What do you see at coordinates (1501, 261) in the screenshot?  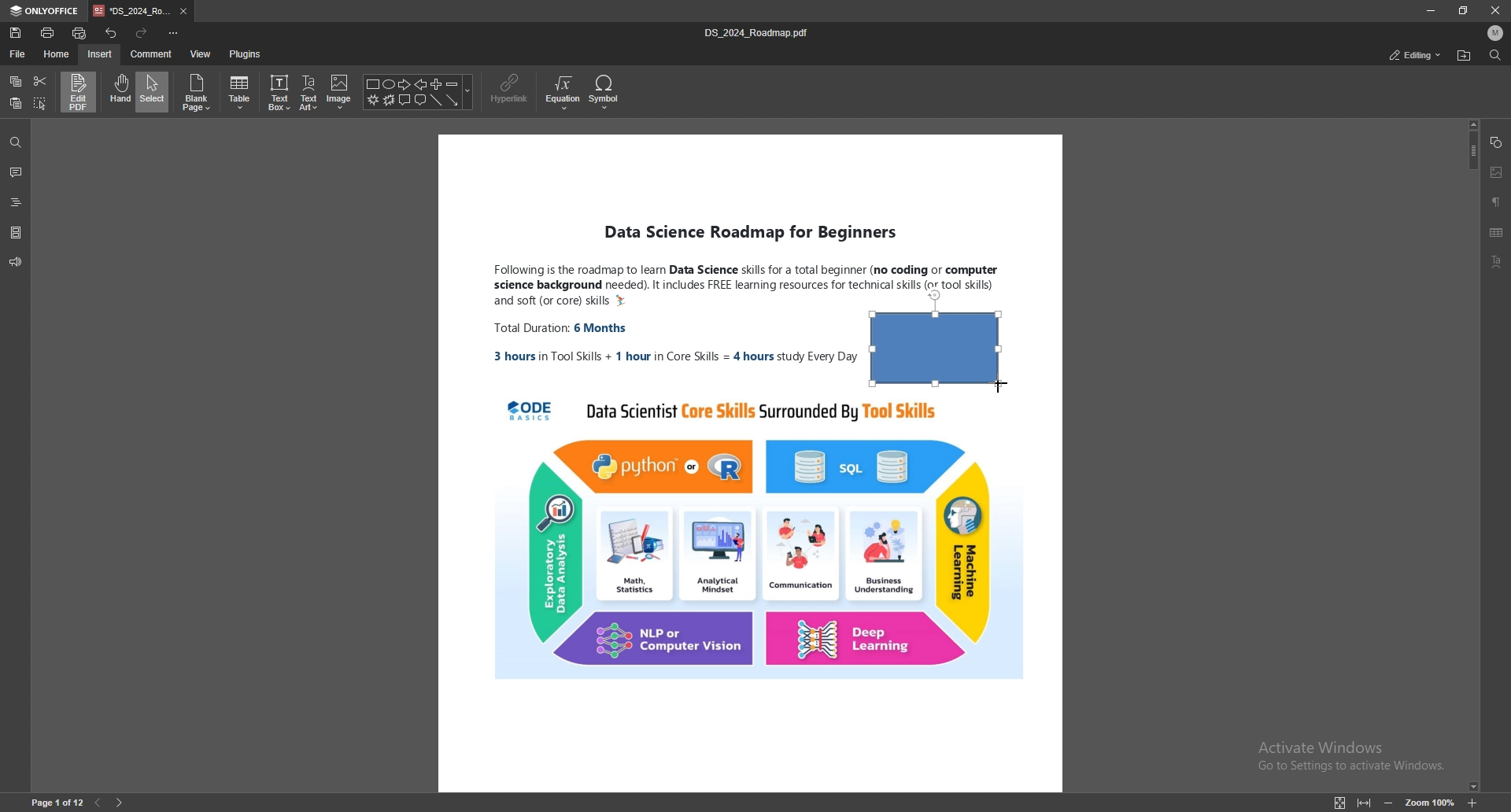 I see `text art` at bounding box center [1501, 261].